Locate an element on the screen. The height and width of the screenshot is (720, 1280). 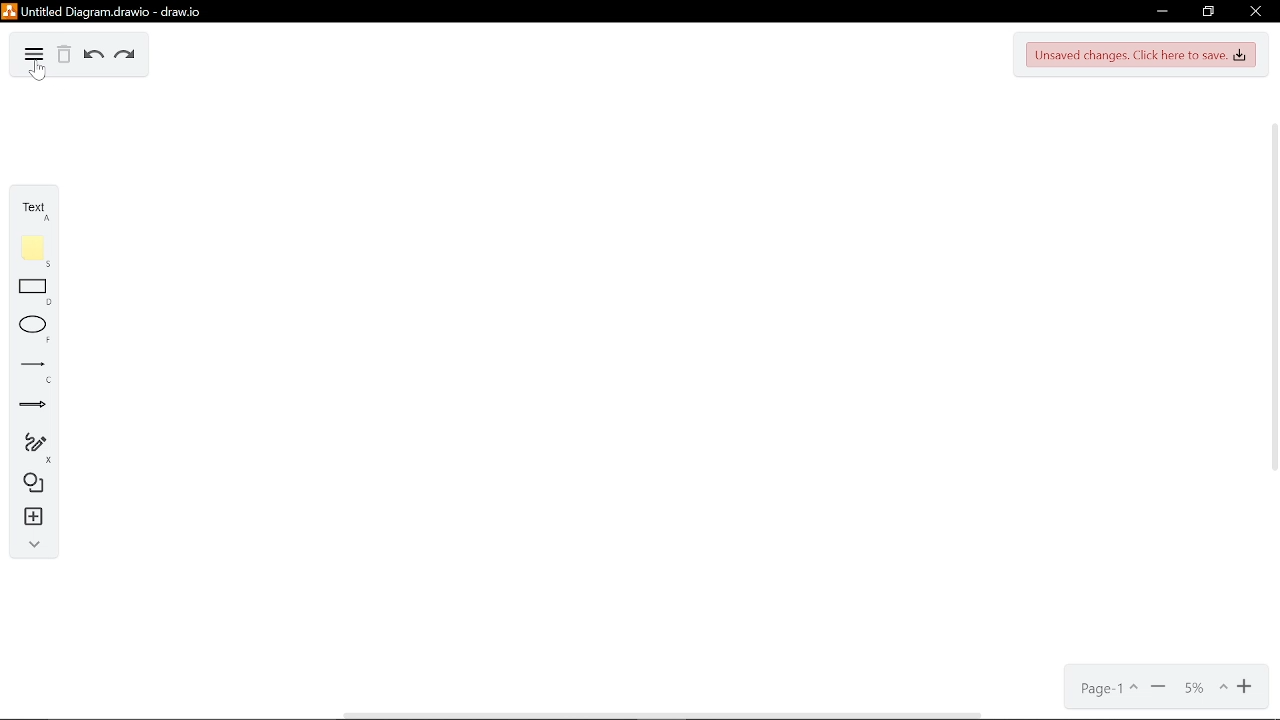
Current page is located at coordinates (1102, 689).